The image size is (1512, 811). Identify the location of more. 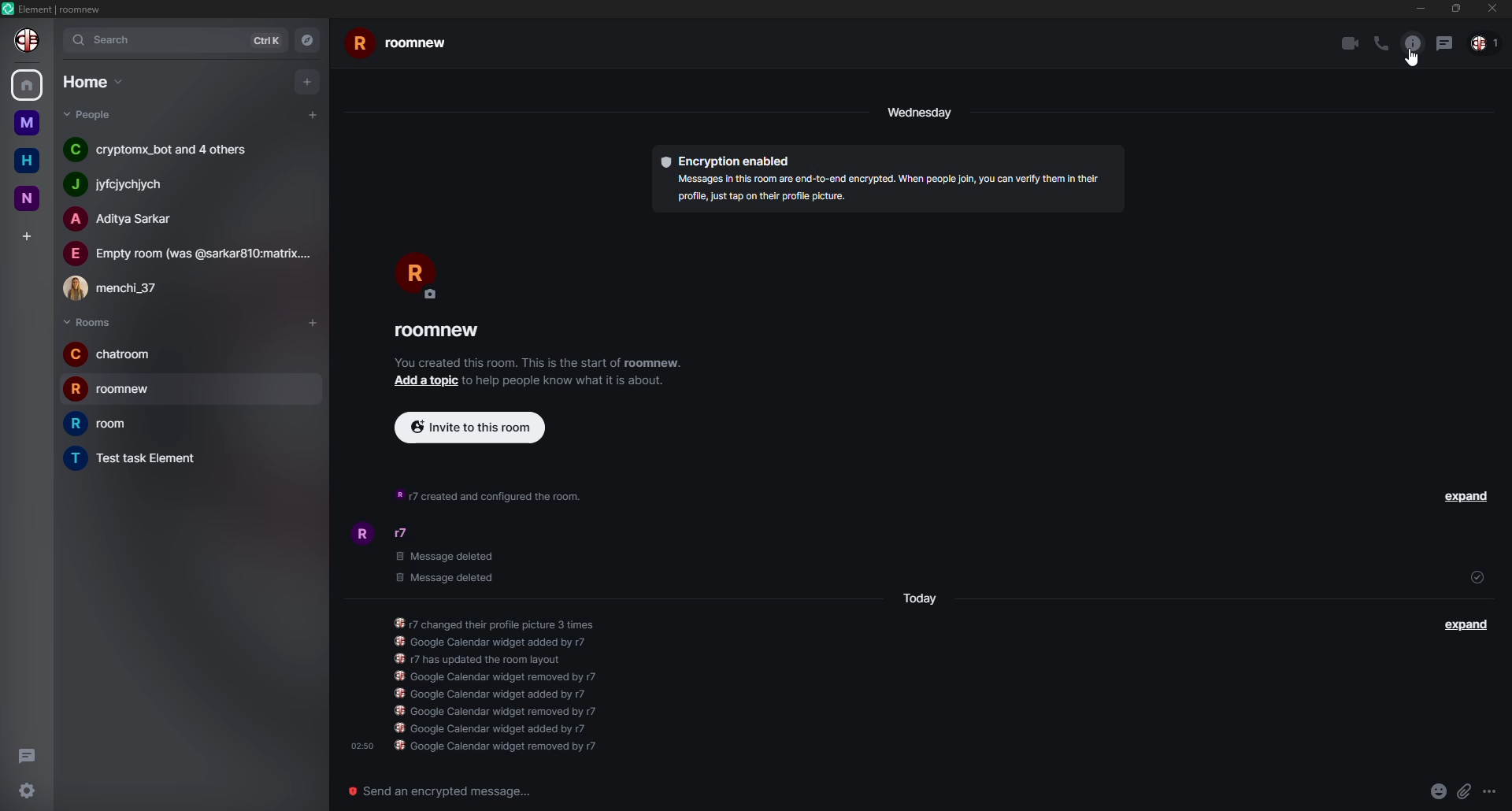
(1487, 791).